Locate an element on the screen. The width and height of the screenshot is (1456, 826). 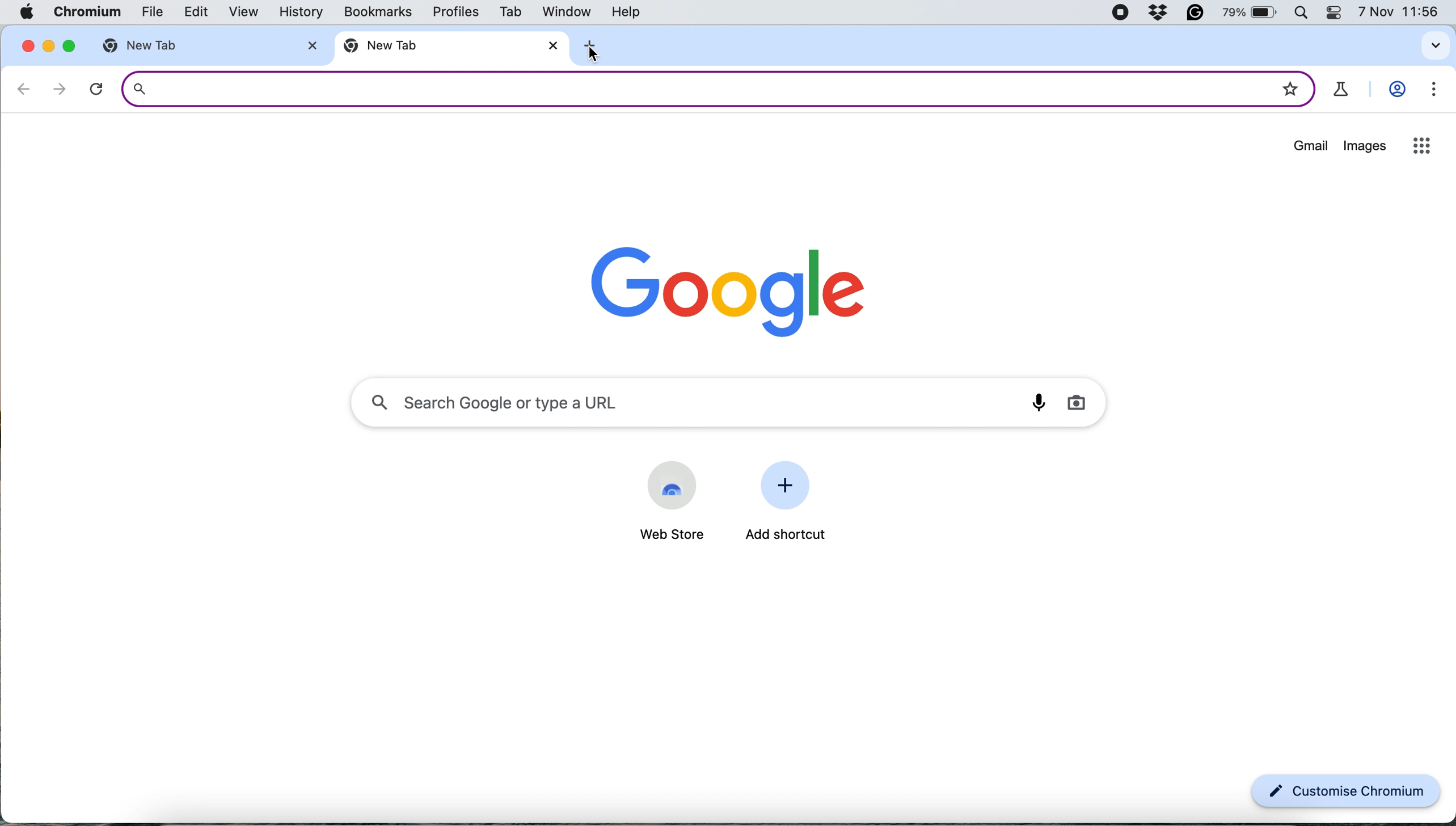
spotlight search is located at coordinates (1306, 13).